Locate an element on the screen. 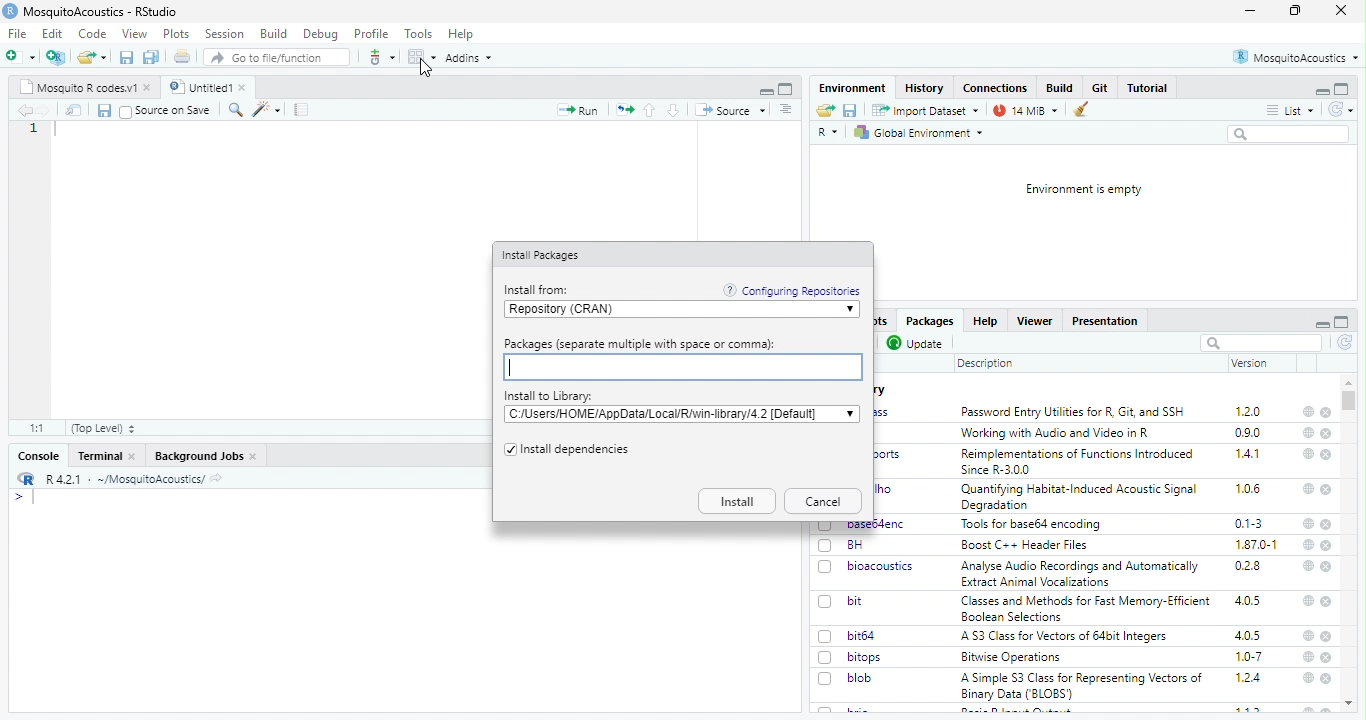  checkbox is located at coordinates (826, 568).